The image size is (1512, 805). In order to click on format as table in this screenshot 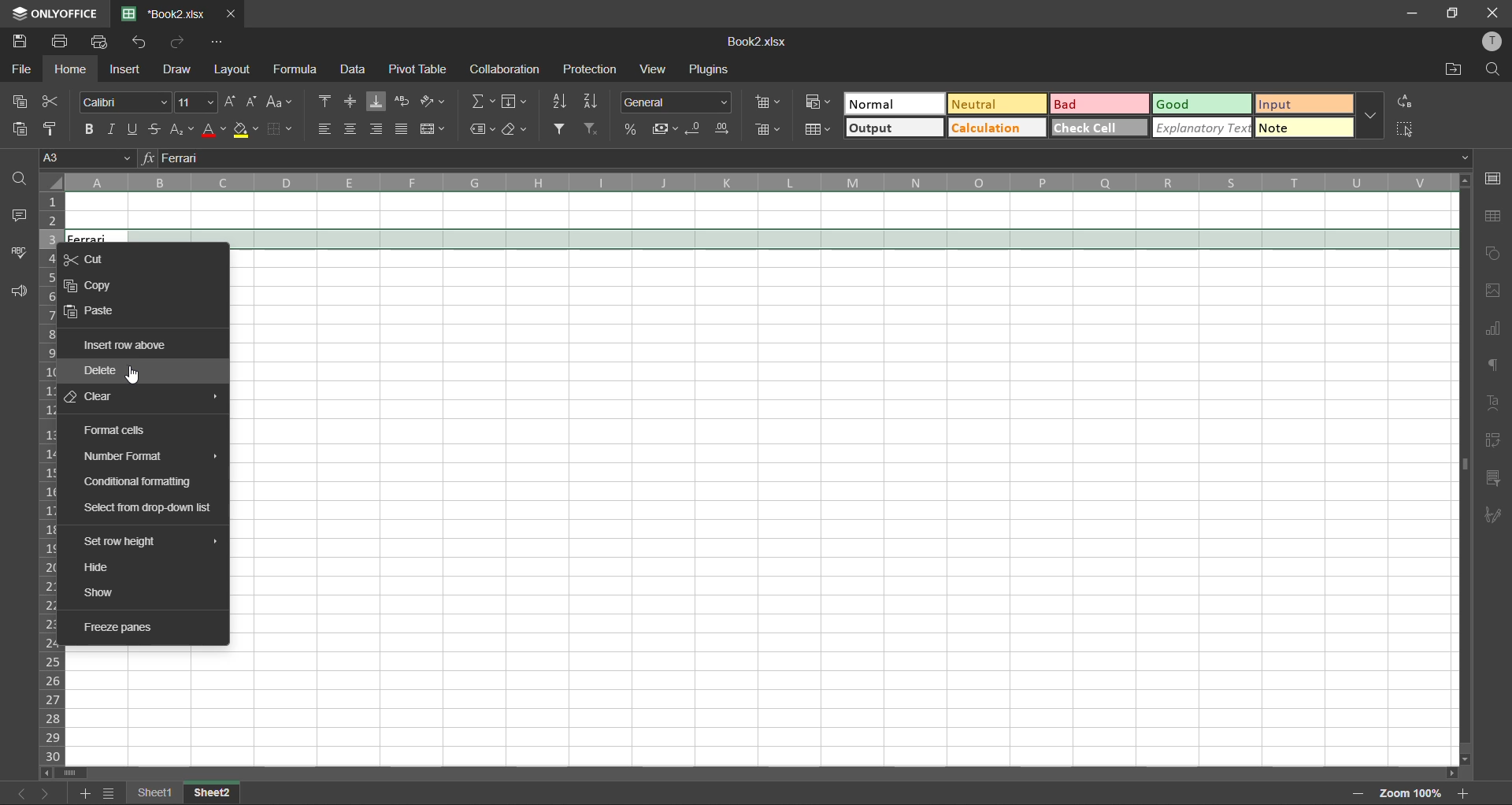, I will do `click(815, 132)`.